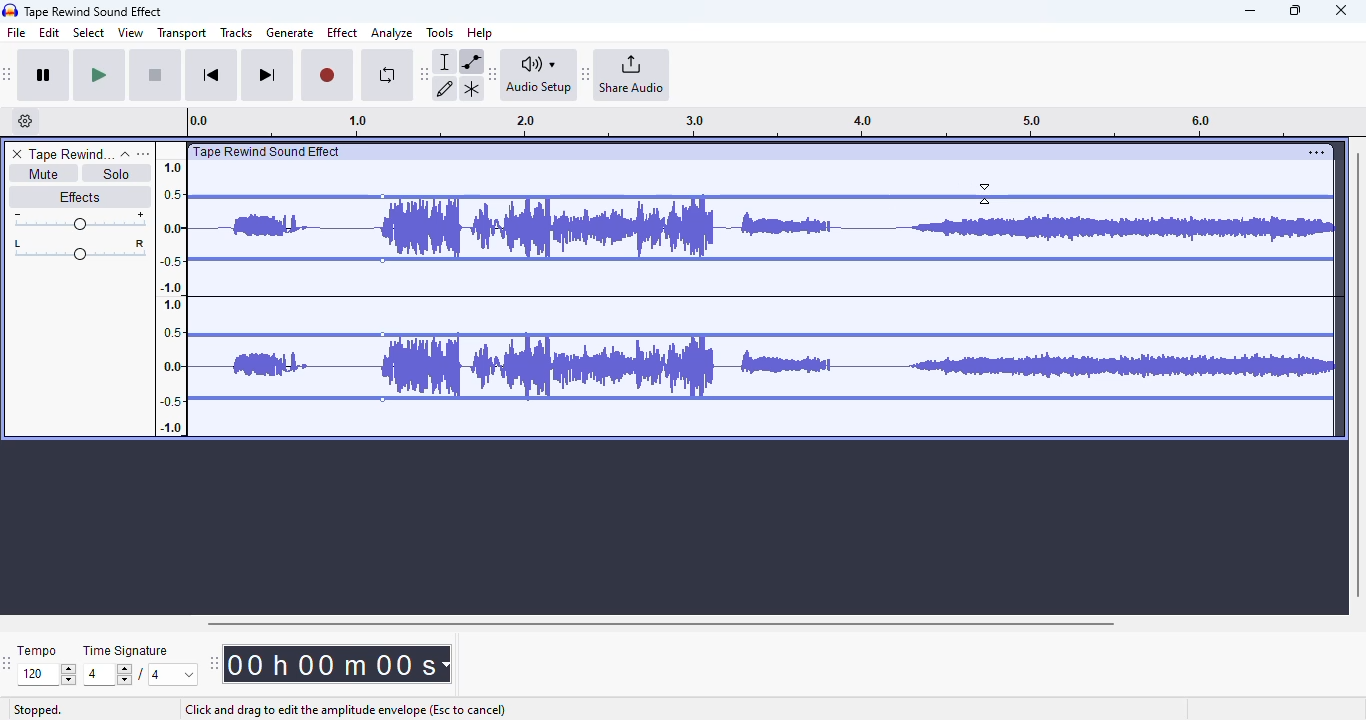 The image size is (1366, 720). I want to click on open menu, so click(143, 153).